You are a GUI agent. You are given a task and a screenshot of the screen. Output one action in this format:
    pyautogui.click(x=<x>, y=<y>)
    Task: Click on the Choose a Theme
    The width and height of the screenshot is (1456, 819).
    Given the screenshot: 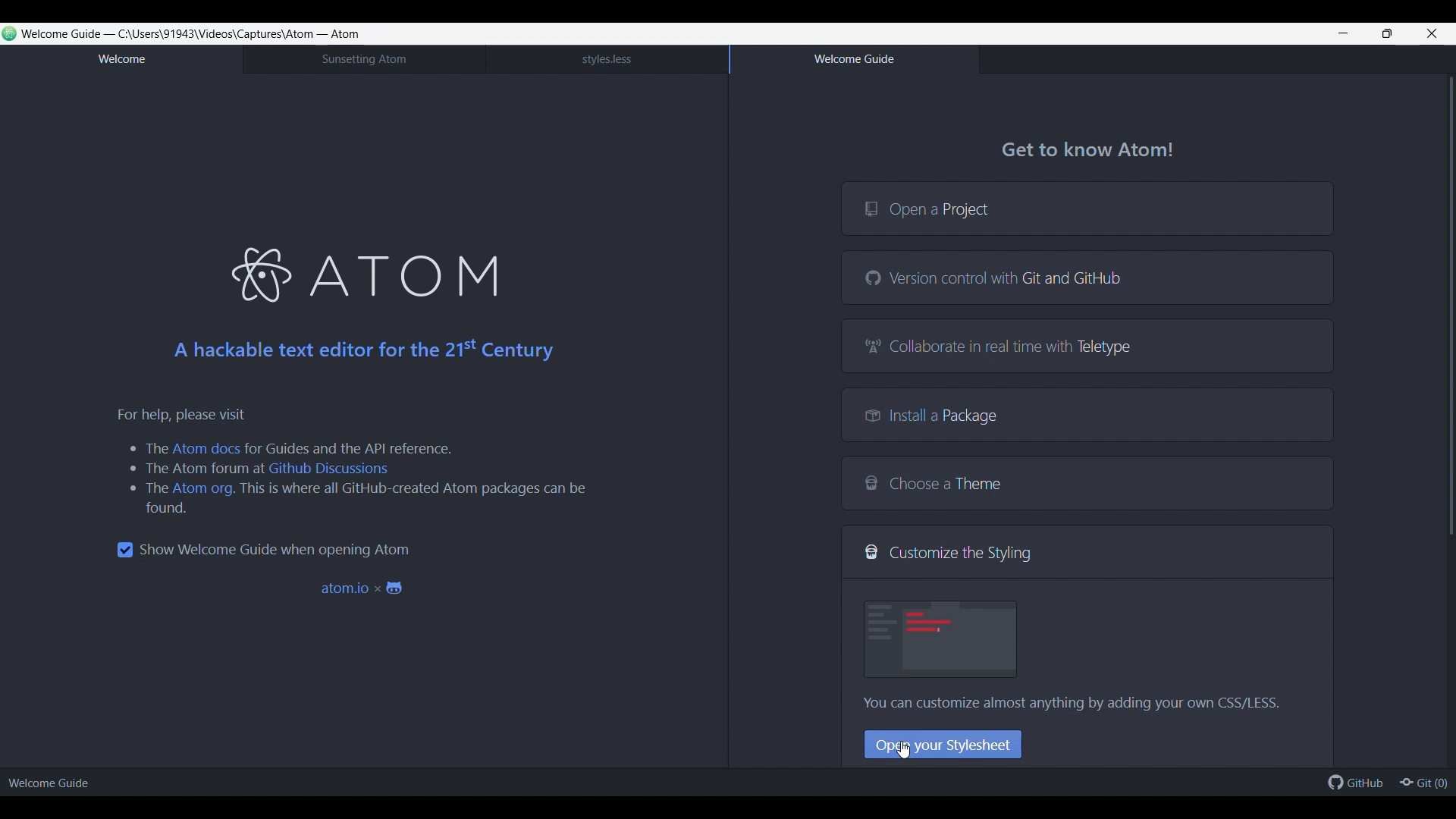 What is the action you would take?
    pyautogui.click(x=1087, y=483)
    